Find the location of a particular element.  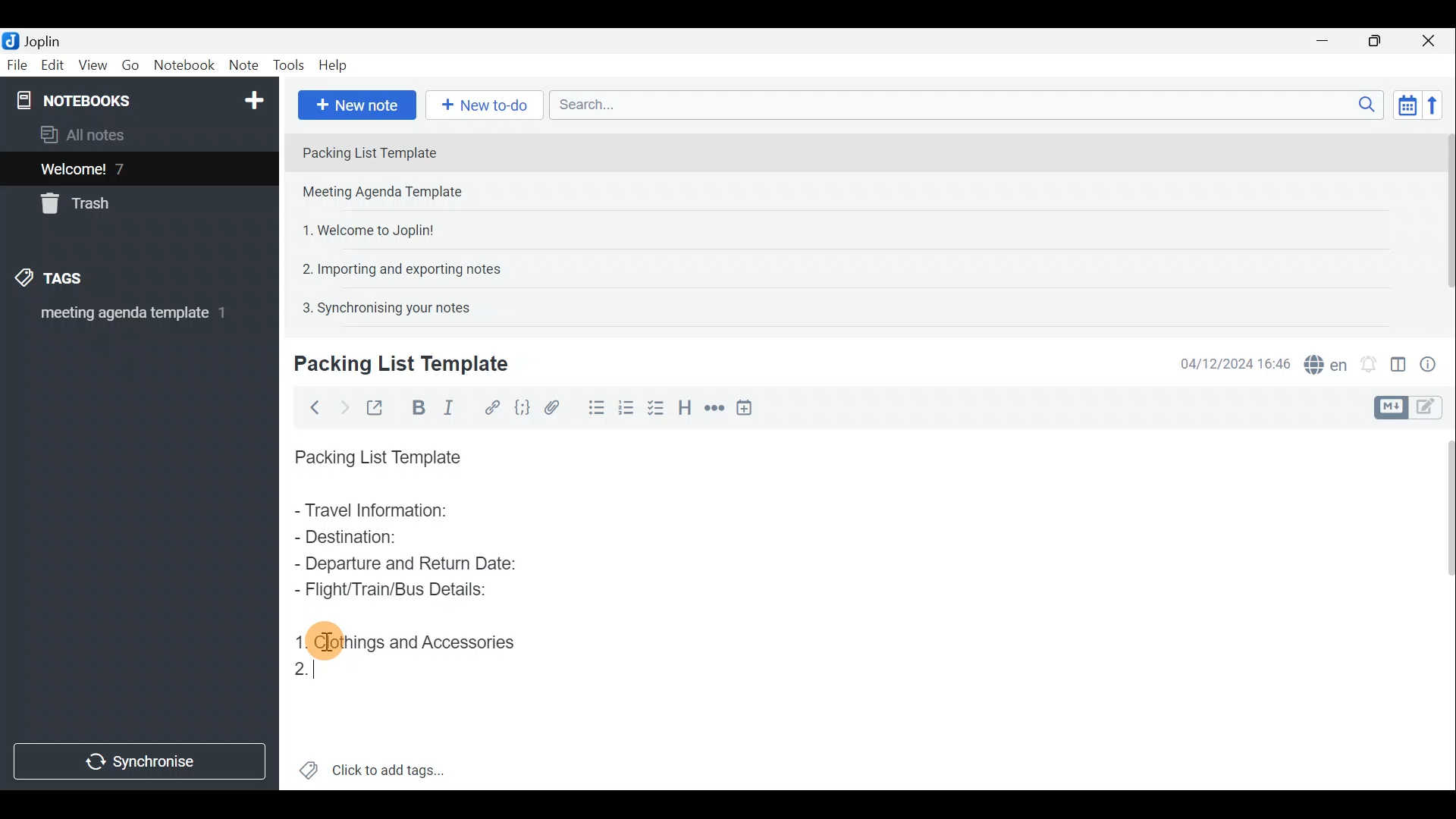

Notebook is located at coordinates (137, 99).